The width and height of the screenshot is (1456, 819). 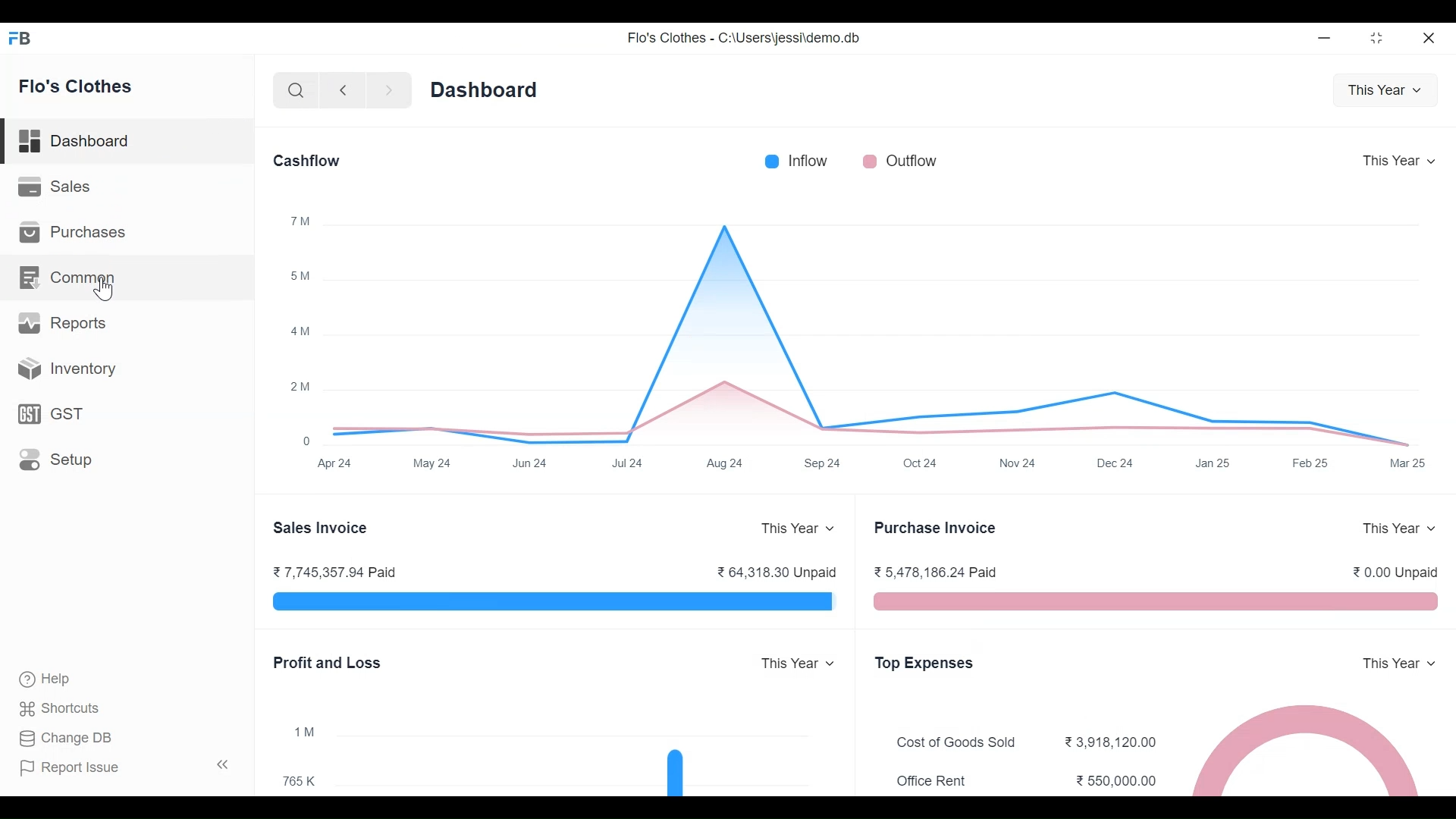 What do you see at coordinates (296, 92) in the screenshot?
I see `Search` at bounding box center [296, 92].